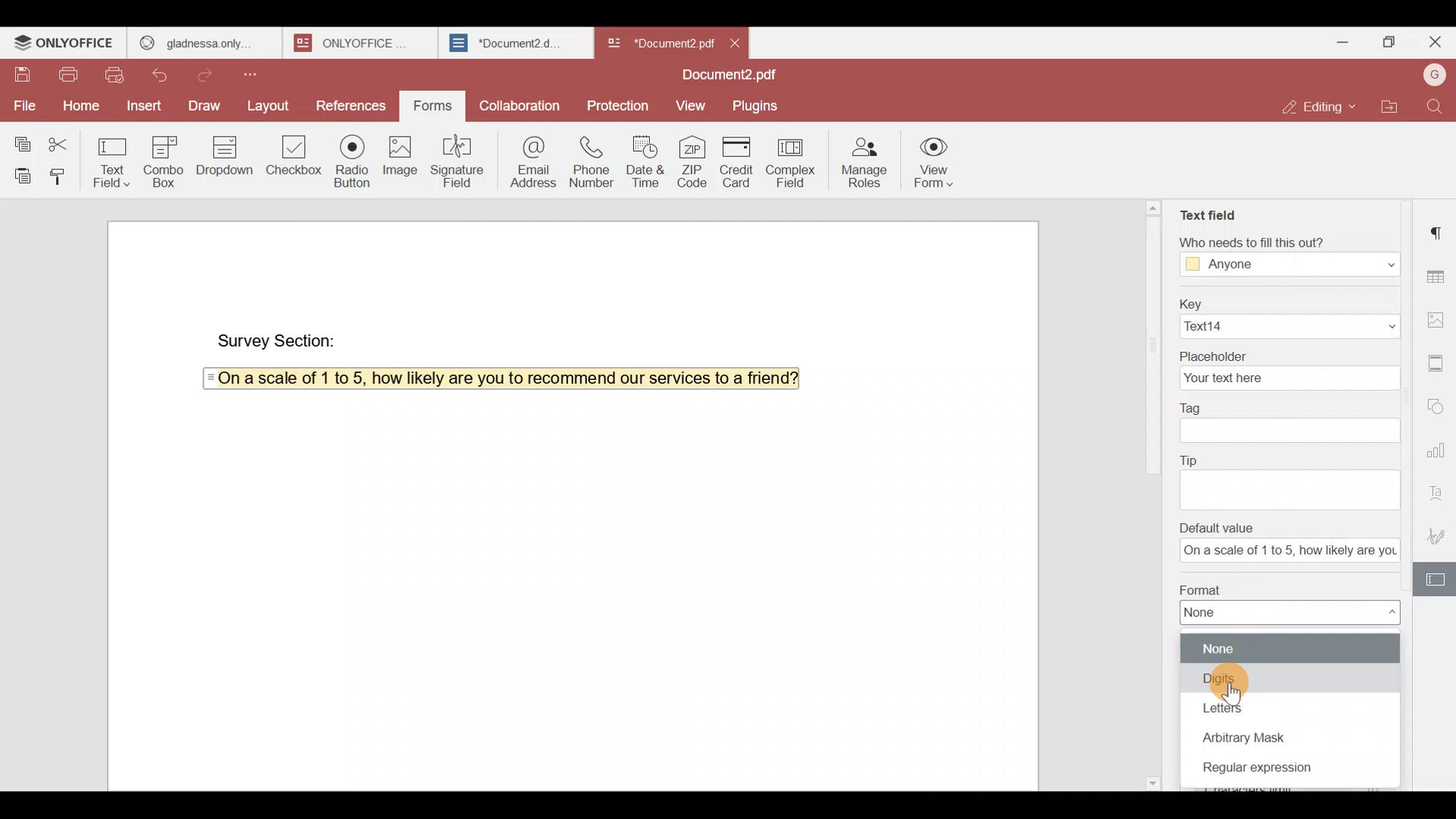 Image resolution: width=1456 pixels, height=819 pixels. I want to click on Shapes settings, so click(1439, 406).